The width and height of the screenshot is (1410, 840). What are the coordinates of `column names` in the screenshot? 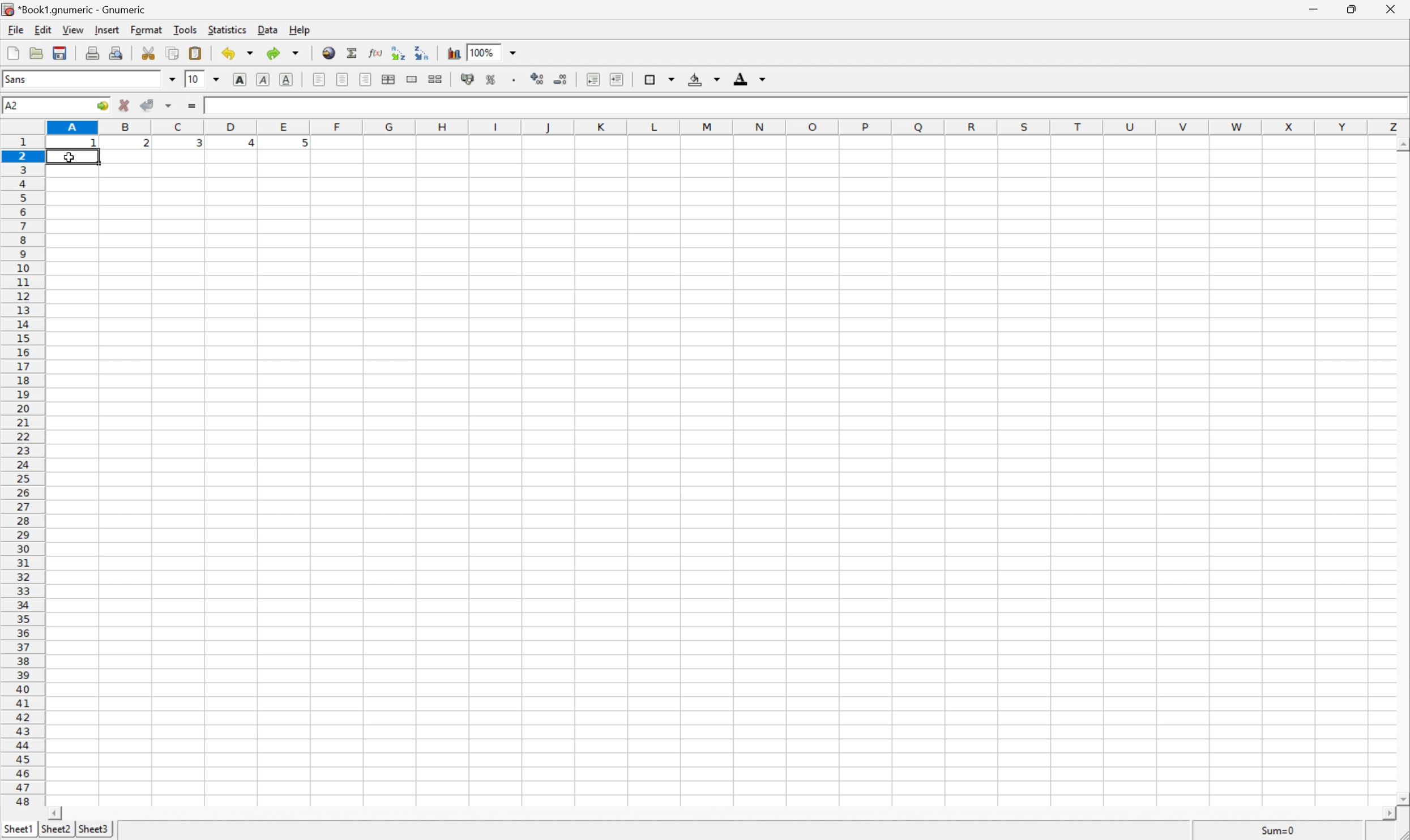 It's located at (728, 126).